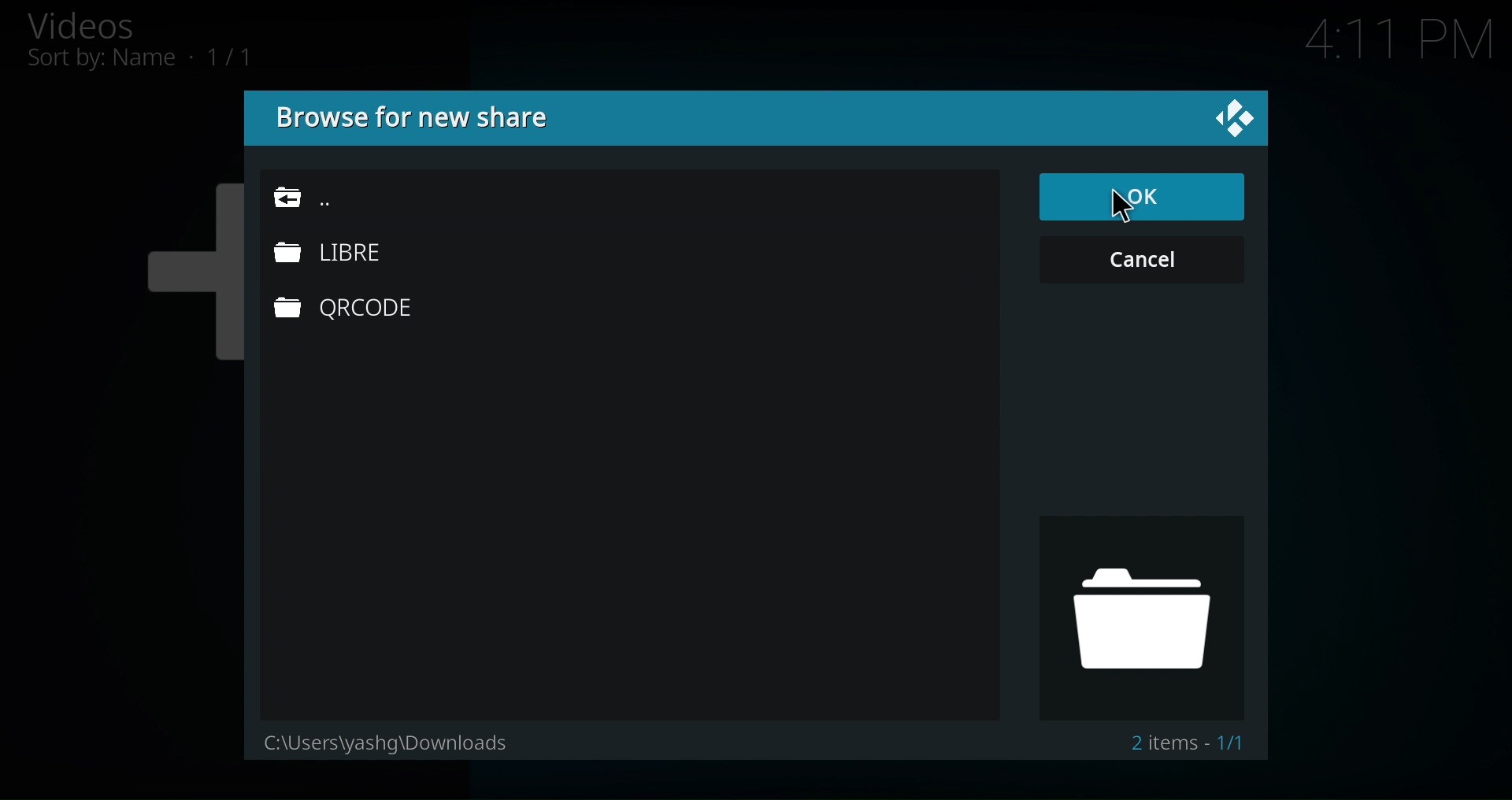  I want to click on Cancel, so click(1150, 262).